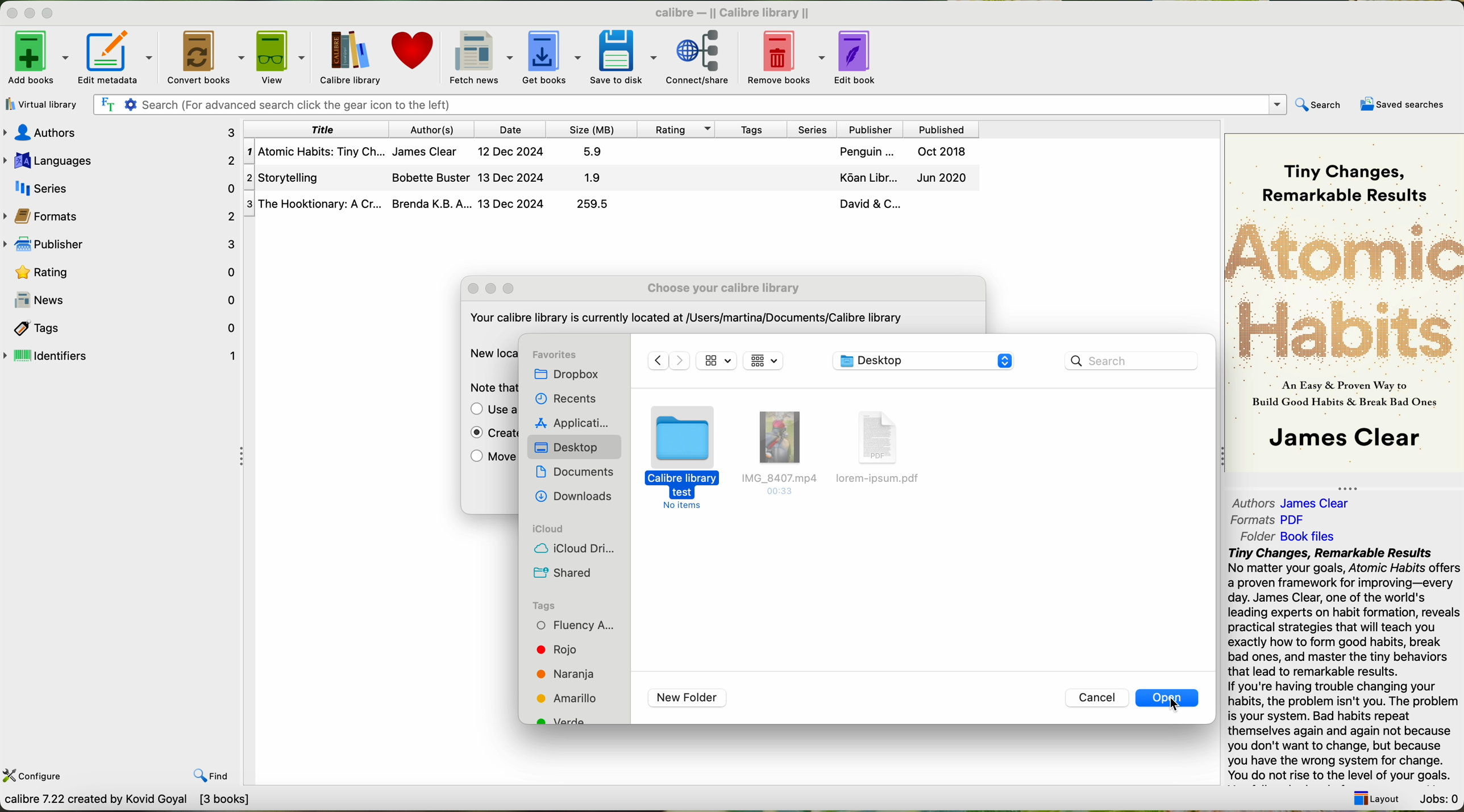 This screenshot has width=1464, height=812. Describe the element at coordinates (942, 128) in the screenshot. I see `published` at that location.